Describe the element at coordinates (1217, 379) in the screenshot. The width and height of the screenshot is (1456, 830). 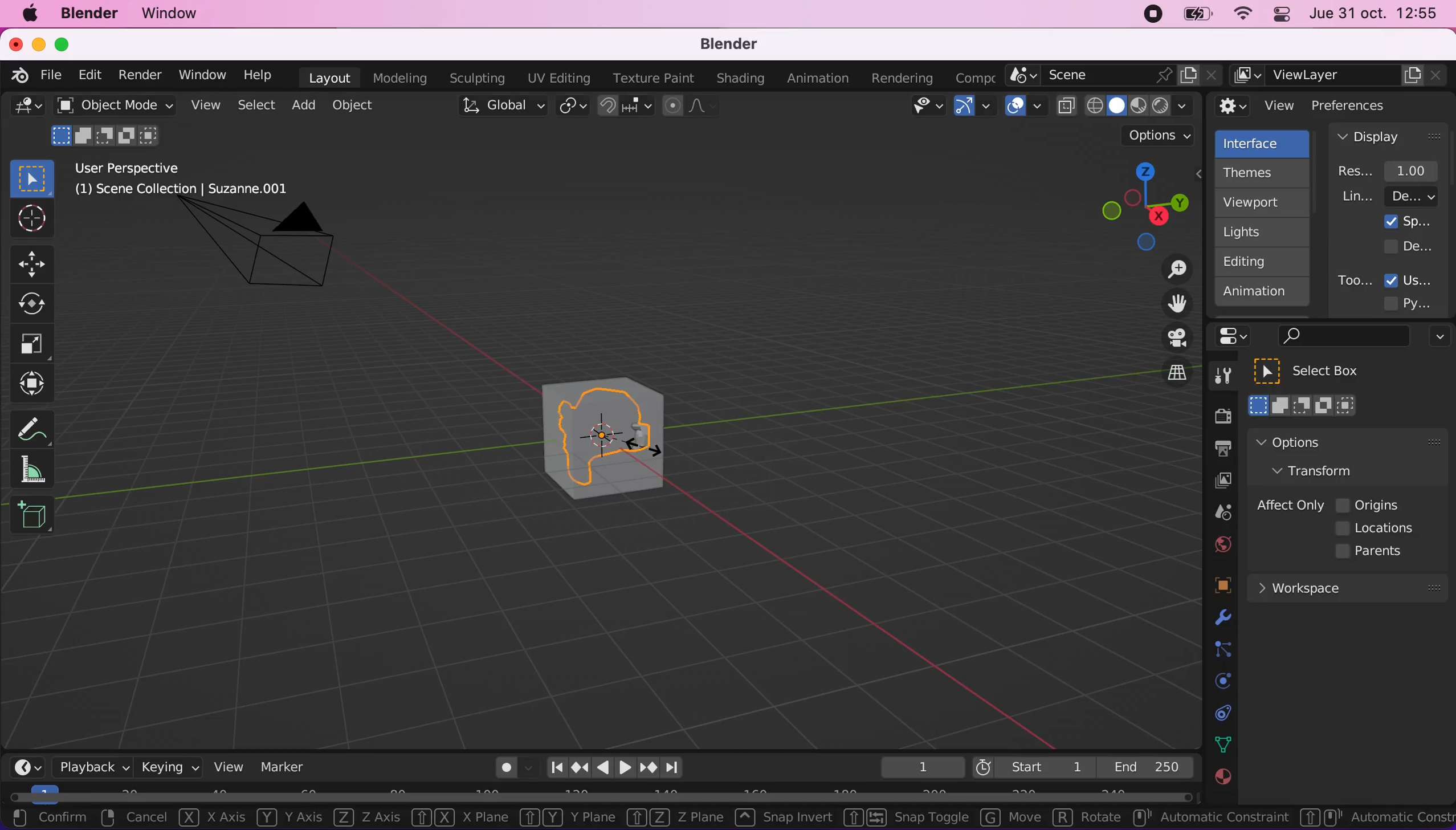
I see `tools` at that location.